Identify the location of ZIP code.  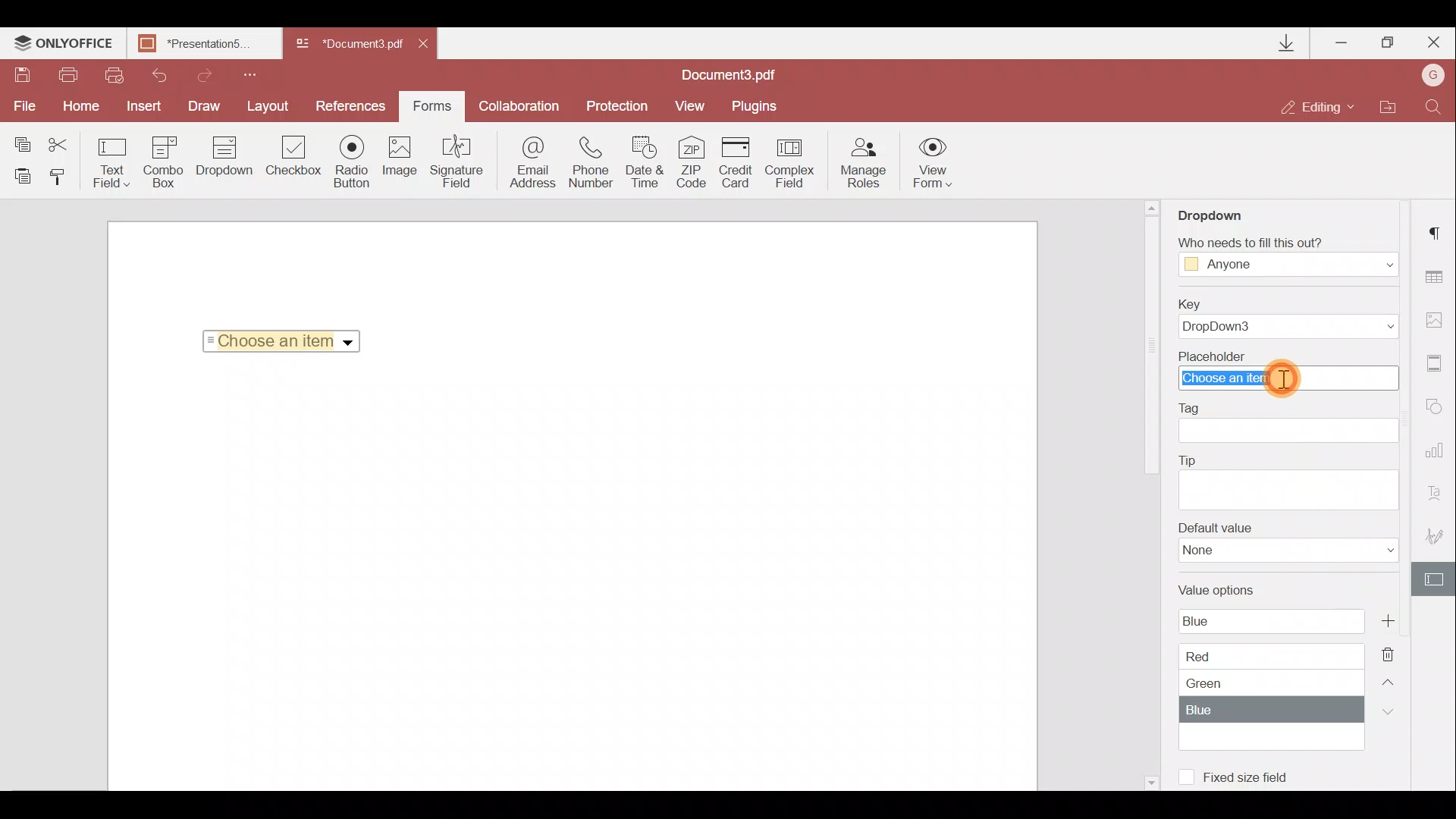
(695, 162).